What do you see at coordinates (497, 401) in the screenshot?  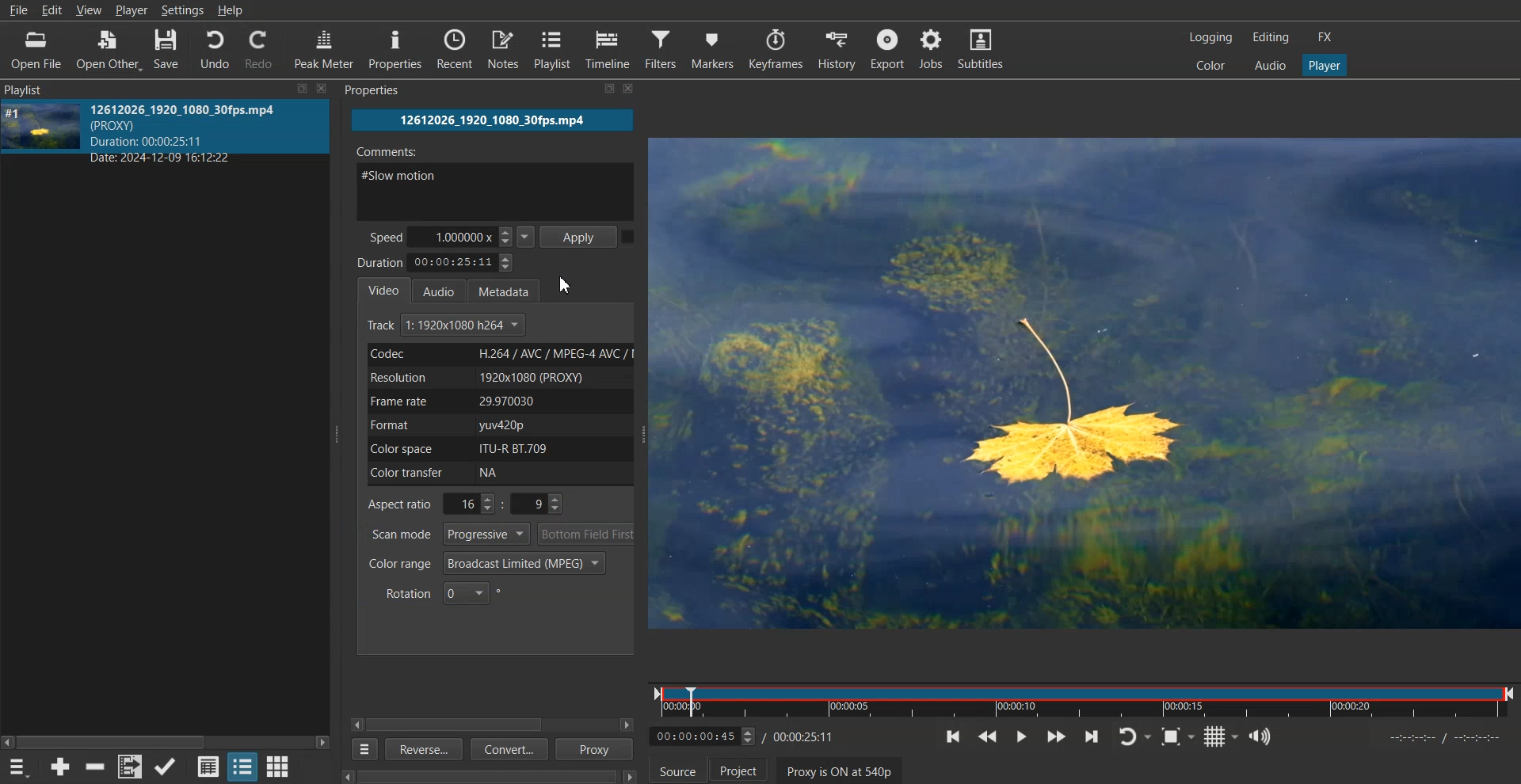 I see `Frame rate` at bounding box center [497, 401].